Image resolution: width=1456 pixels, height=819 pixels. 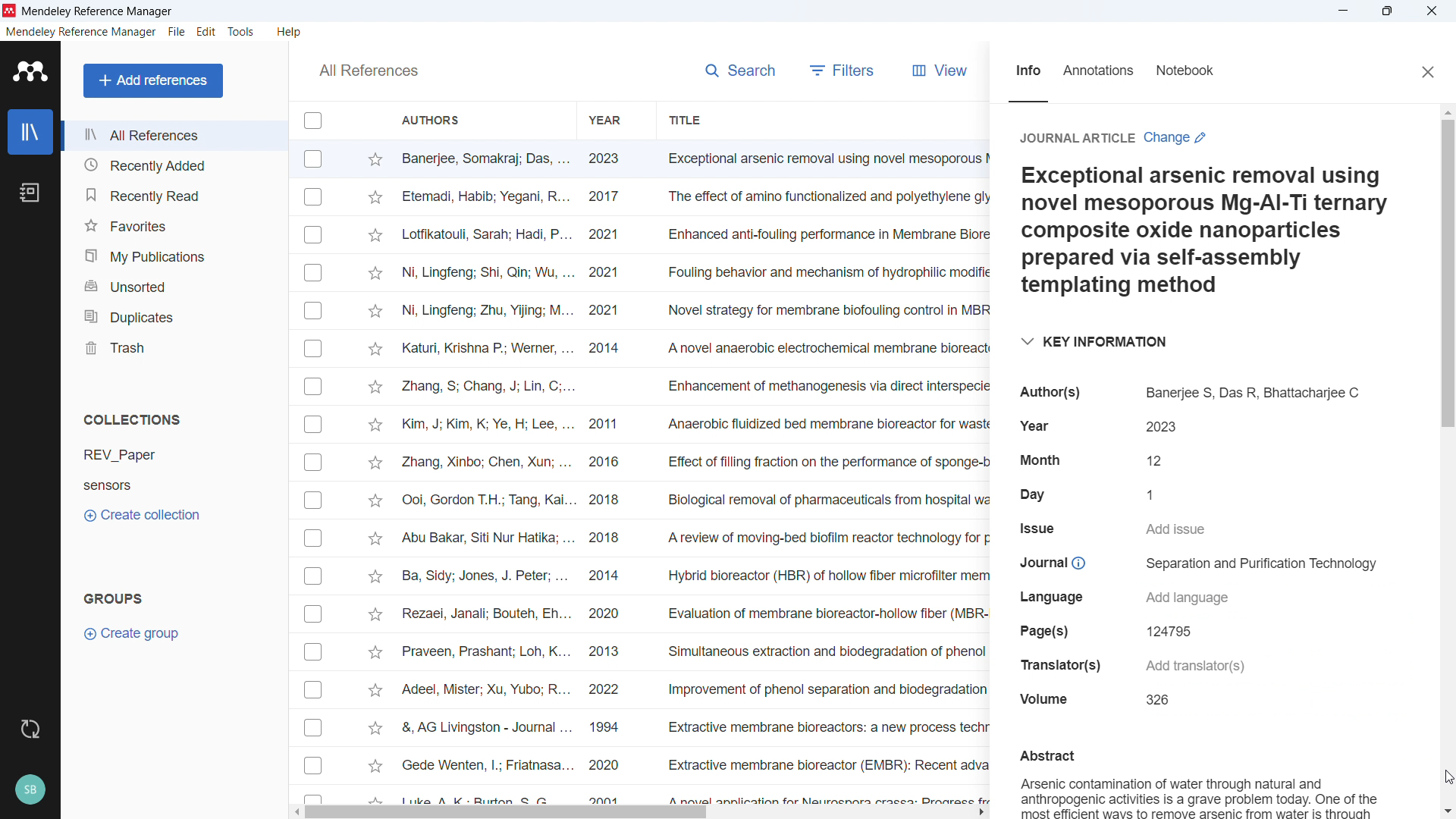 What do you see at coordinates (608, 798) in the screenshot?
I see `2001` at bounding box center [608, 798].